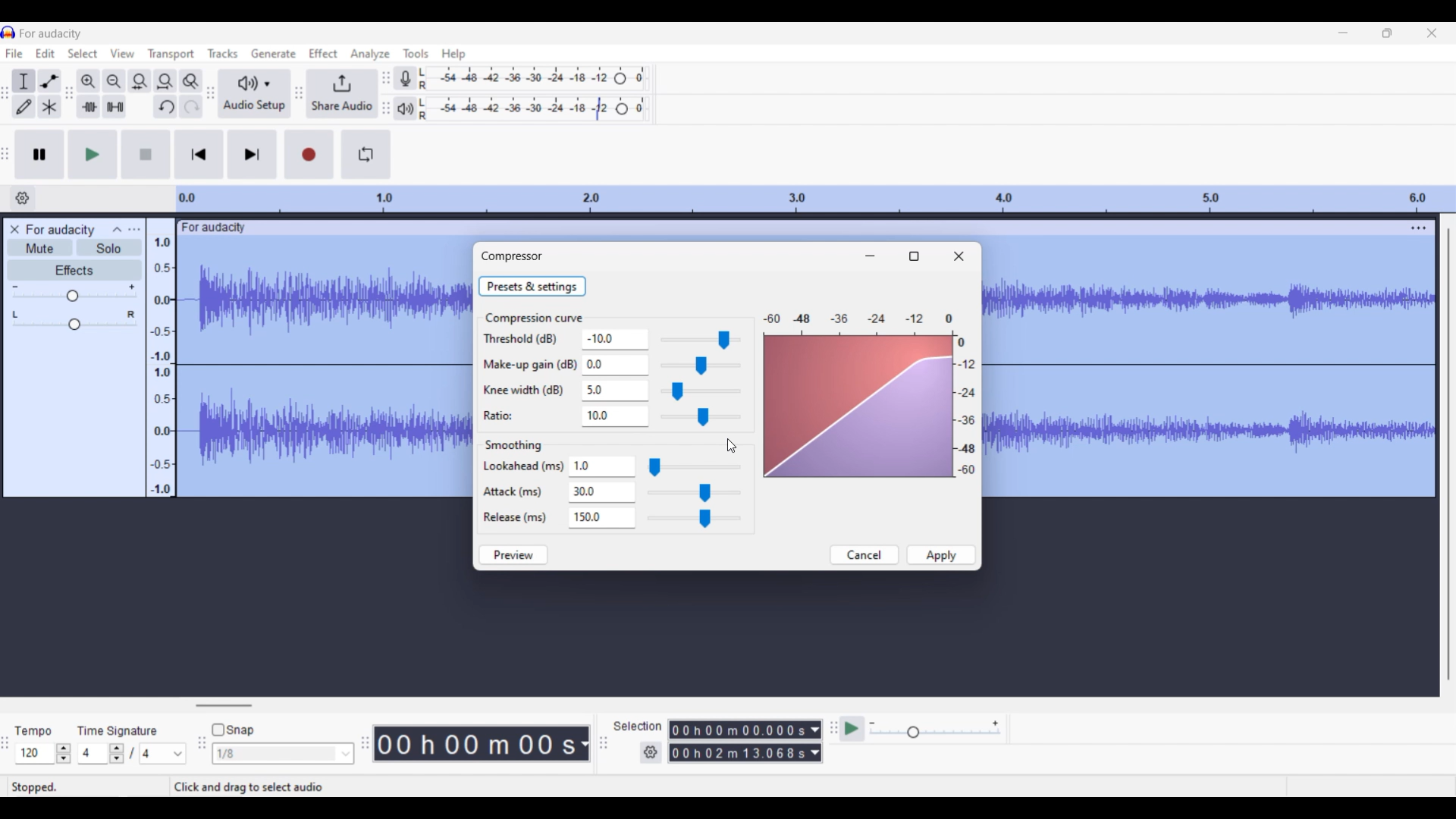  What do you see at coordinates (416, 52) in the screenshot?
I see `Tools` at bounding box center [416, 52].